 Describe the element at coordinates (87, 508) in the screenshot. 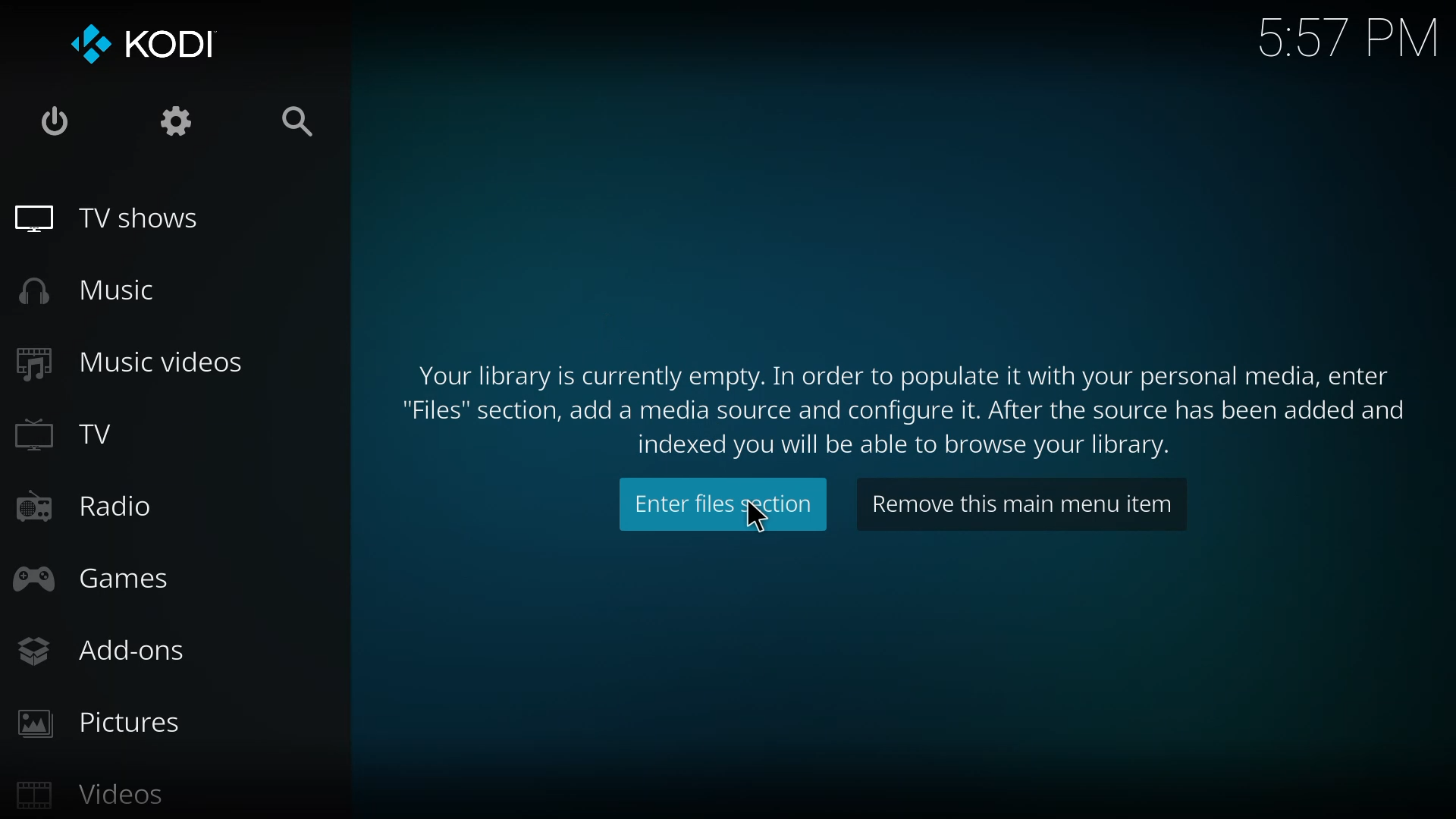

I see `radio` at that location.